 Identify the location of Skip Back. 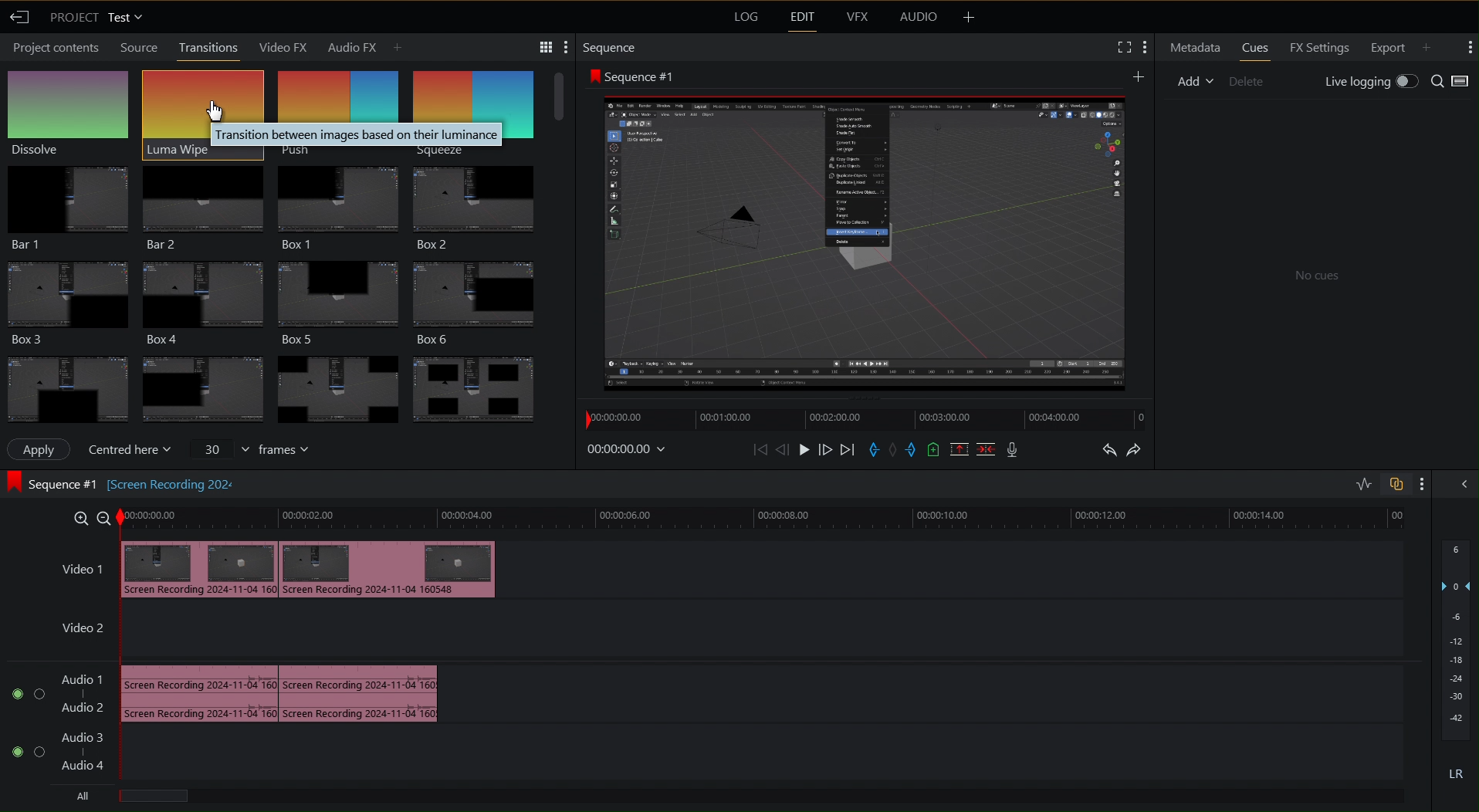
(760, 450).